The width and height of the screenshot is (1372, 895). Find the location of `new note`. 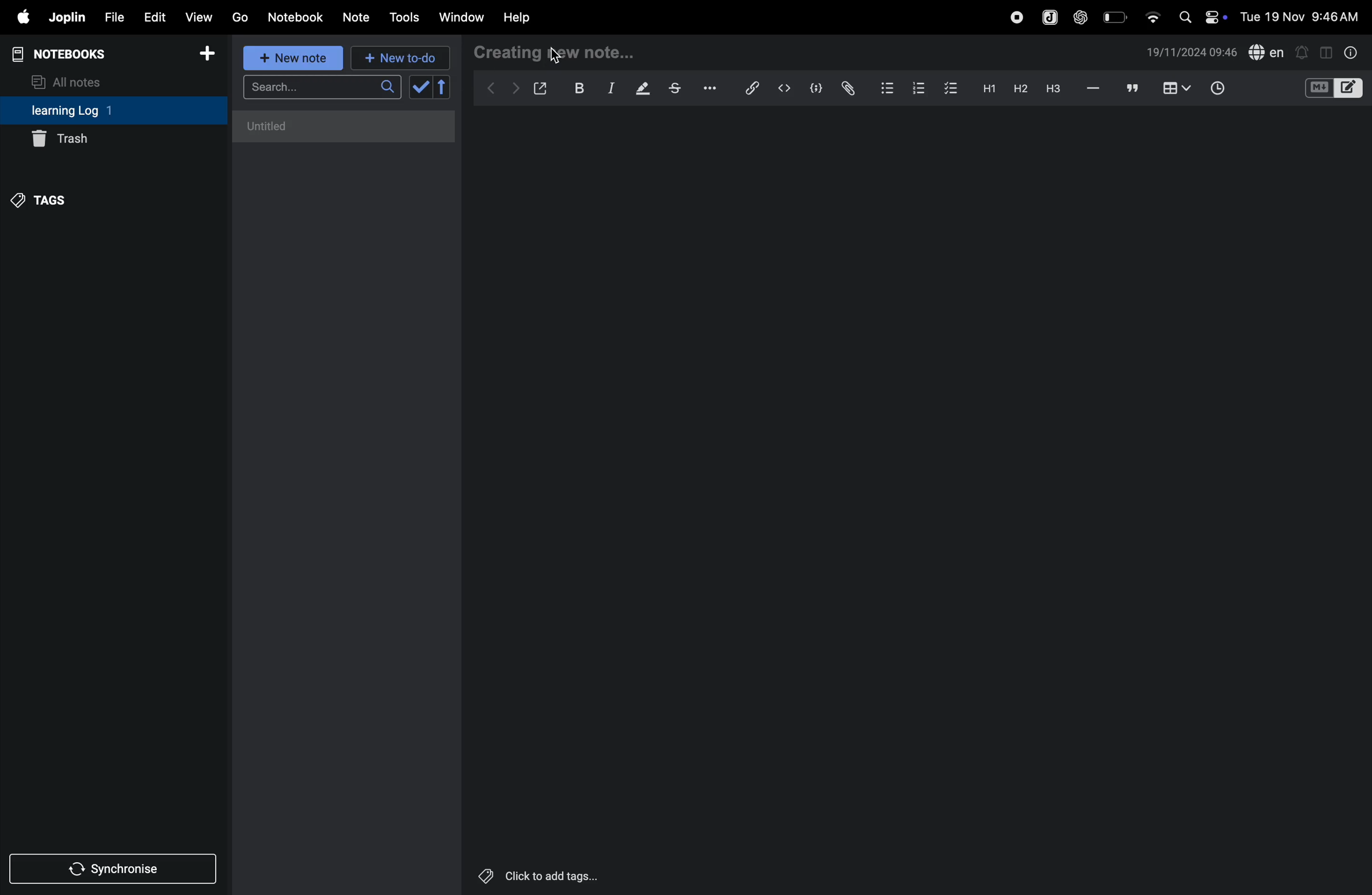

new note is located at coordinates (290, 58).